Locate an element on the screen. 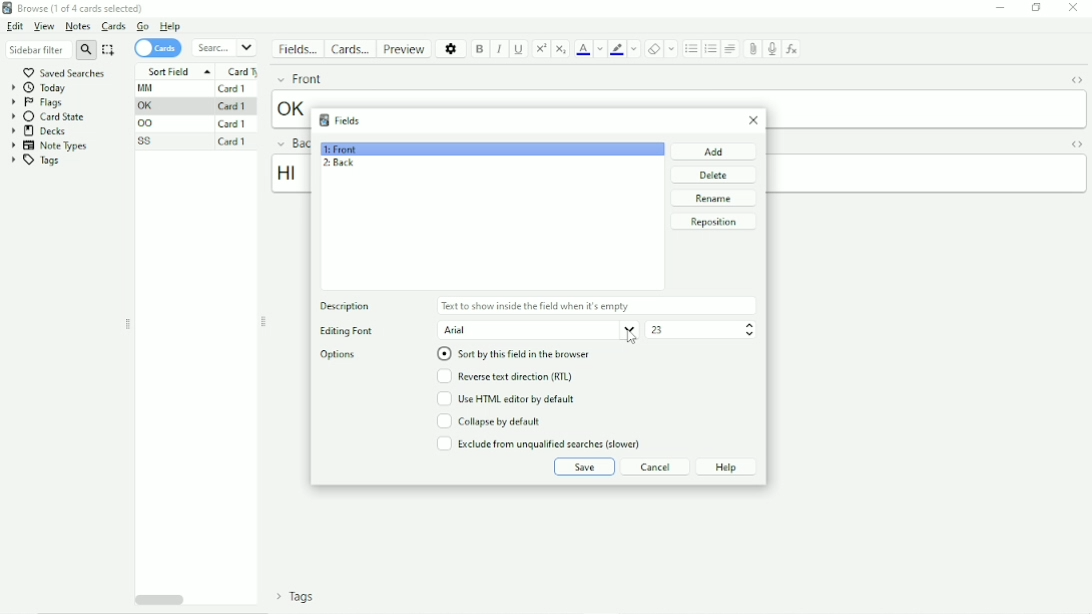 The width and height of the screenshot is (1092, 614). Card state is located at coordinates (50, 116).